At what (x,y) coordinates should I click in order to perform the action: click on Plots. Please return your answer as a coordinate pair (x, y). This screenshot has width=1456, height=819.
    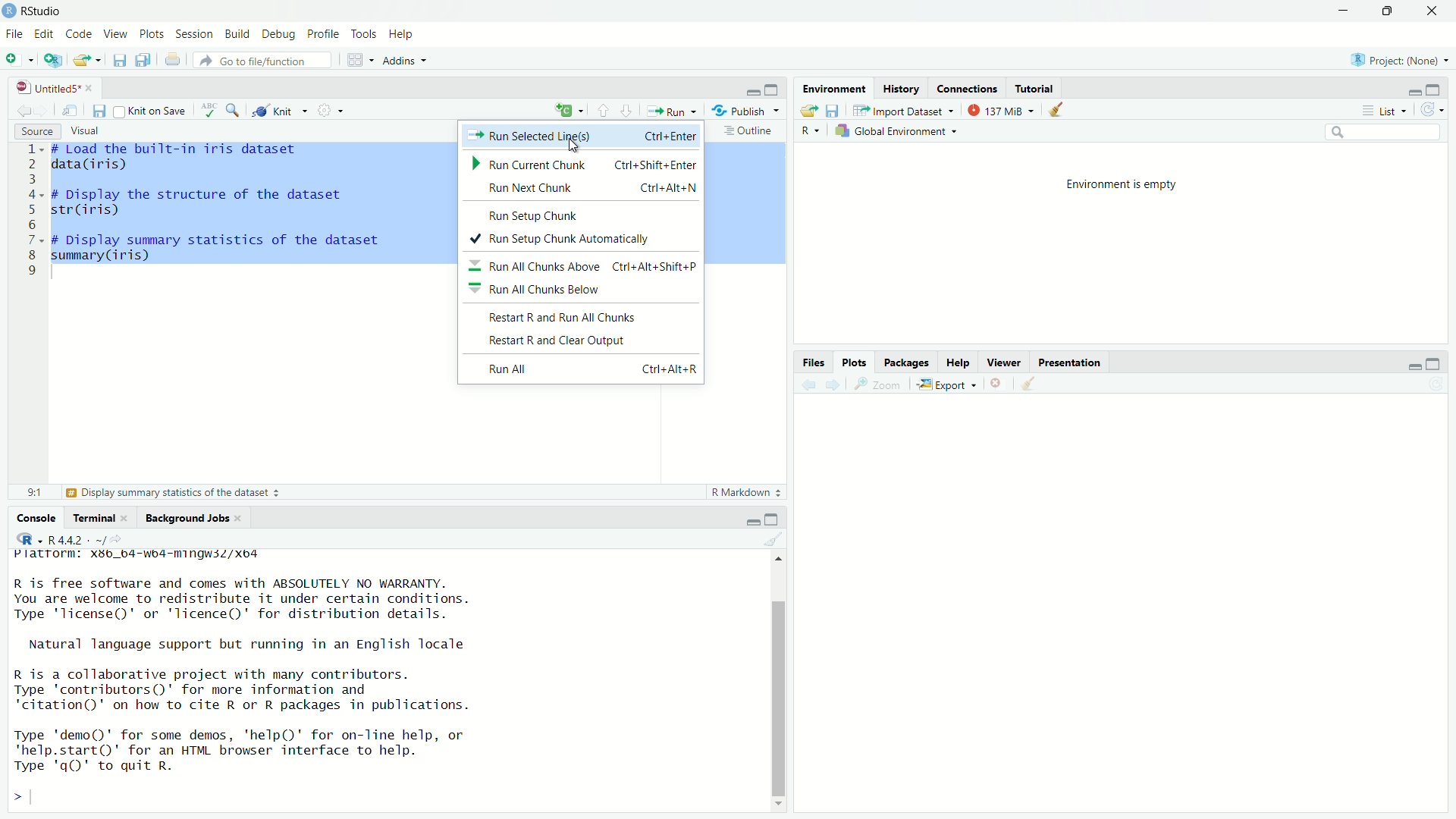
    Looking at the image, I should click on (152, 33).